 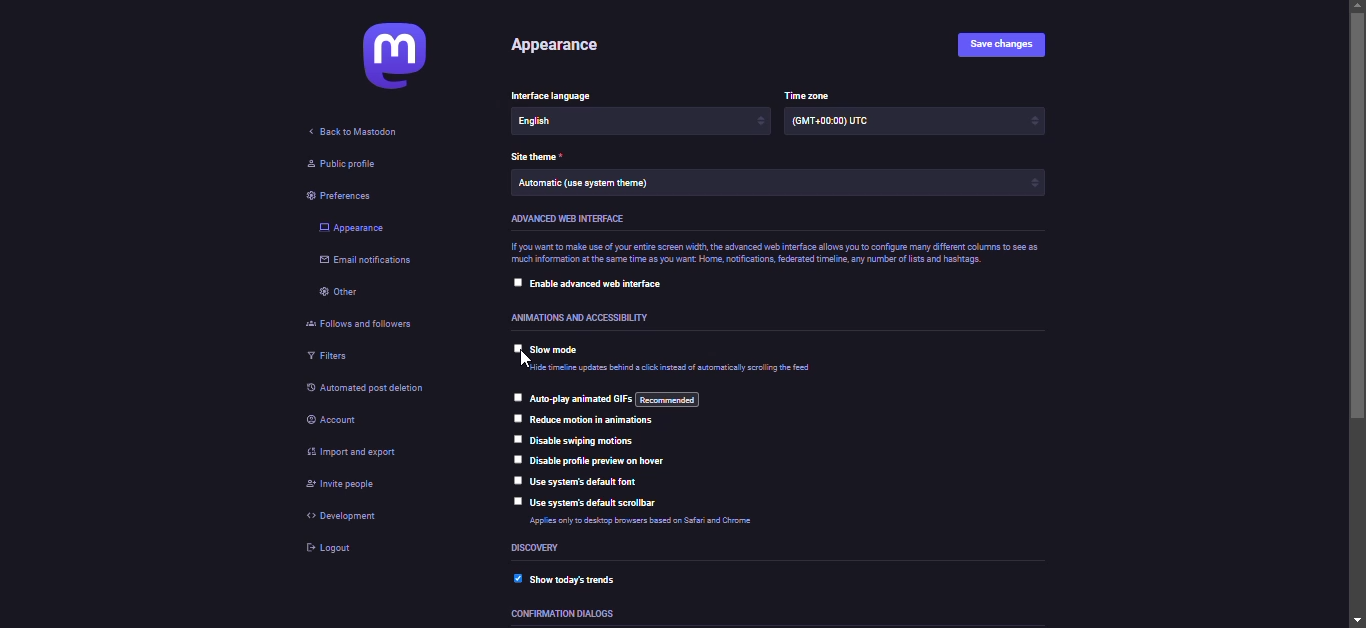 I want to click on public profile, so click(x=345, y=166).